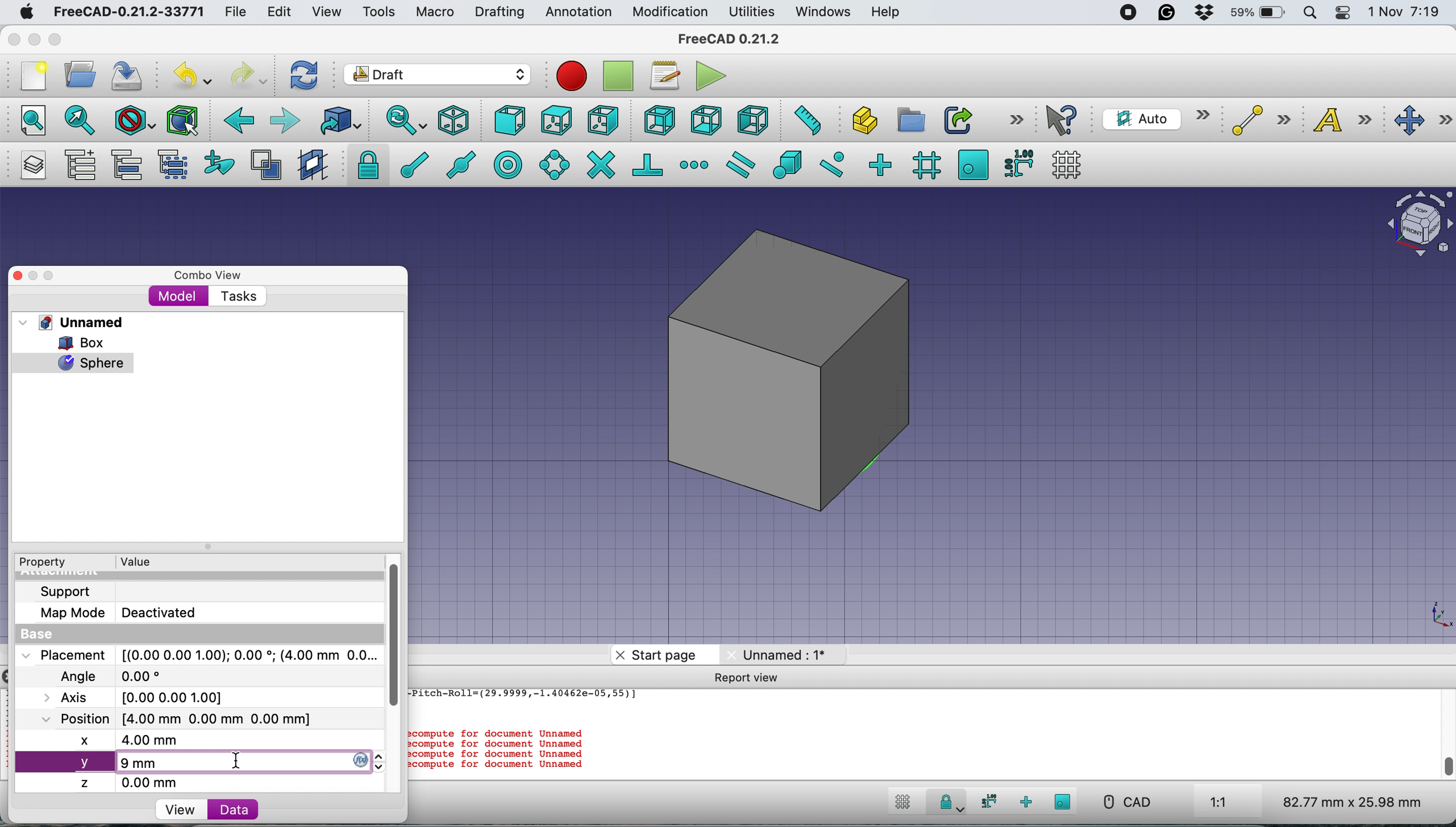 The height and width of the screenshot is (827, 1456). I want to click on snap lock, so click(364, 164).